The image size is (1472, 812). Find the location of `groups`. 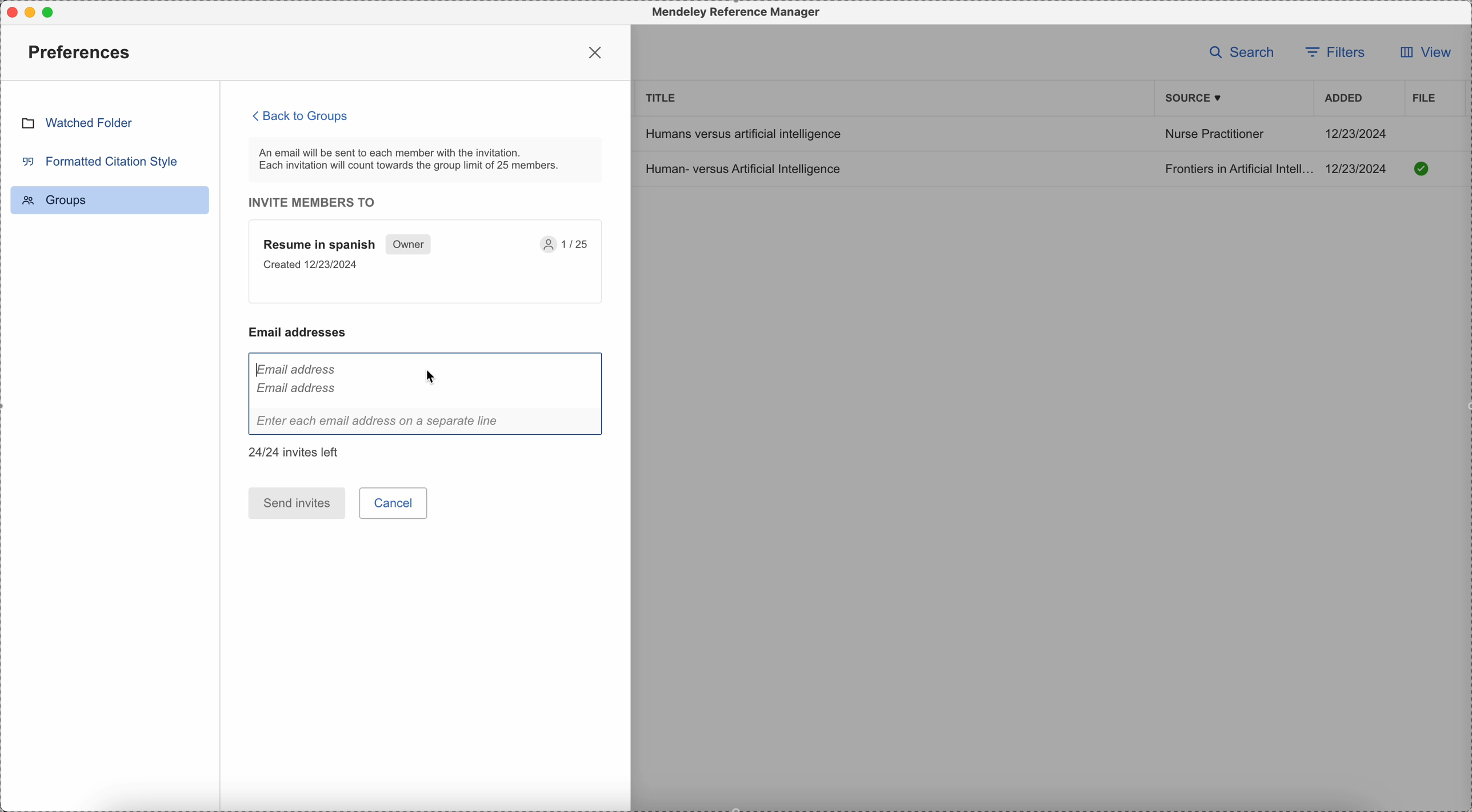

groups is located at coordinates (110, 200).